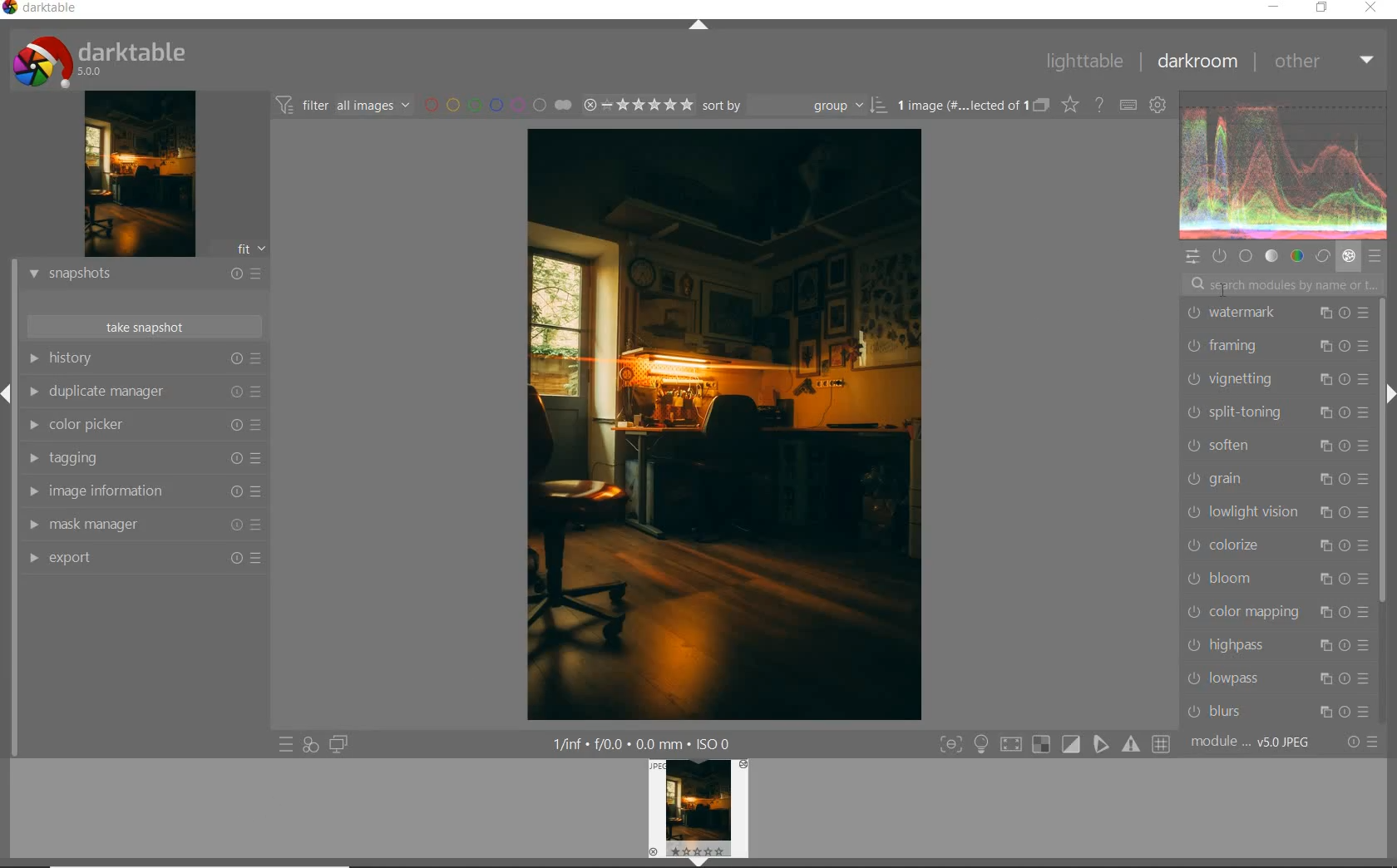 This screenshot has height=868, width=1397. What do you see at coordinates (309, 744) in the screenshot?
I see `quick access for applying any of your styles` at bounding box center [309, 744].